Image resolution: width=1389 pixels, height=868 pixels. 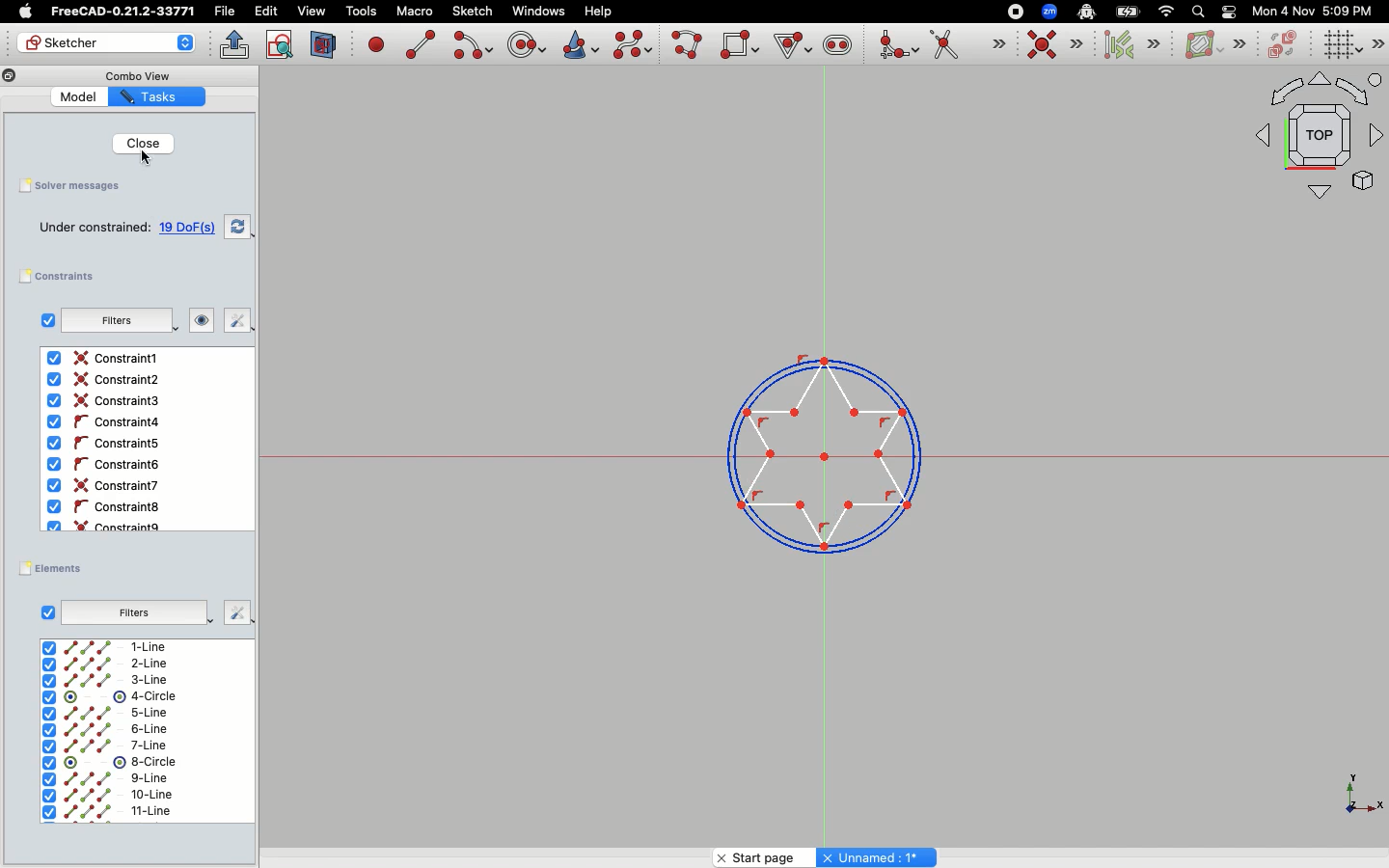 I want to click on Network, so click(x=1167, y=12).